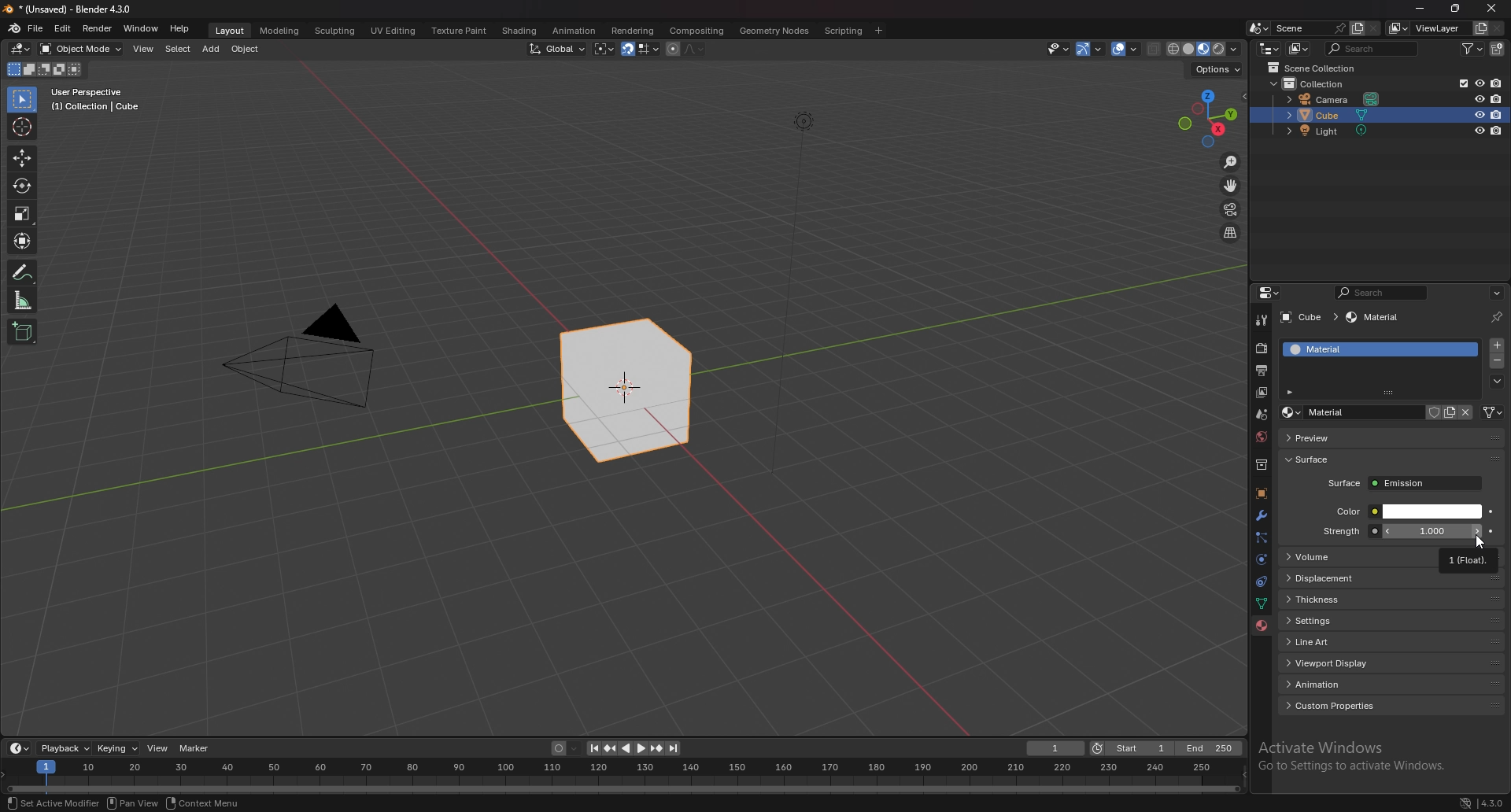 The image size is (1511, 812). I want to click on jump to endpoint, so click(674, 748).